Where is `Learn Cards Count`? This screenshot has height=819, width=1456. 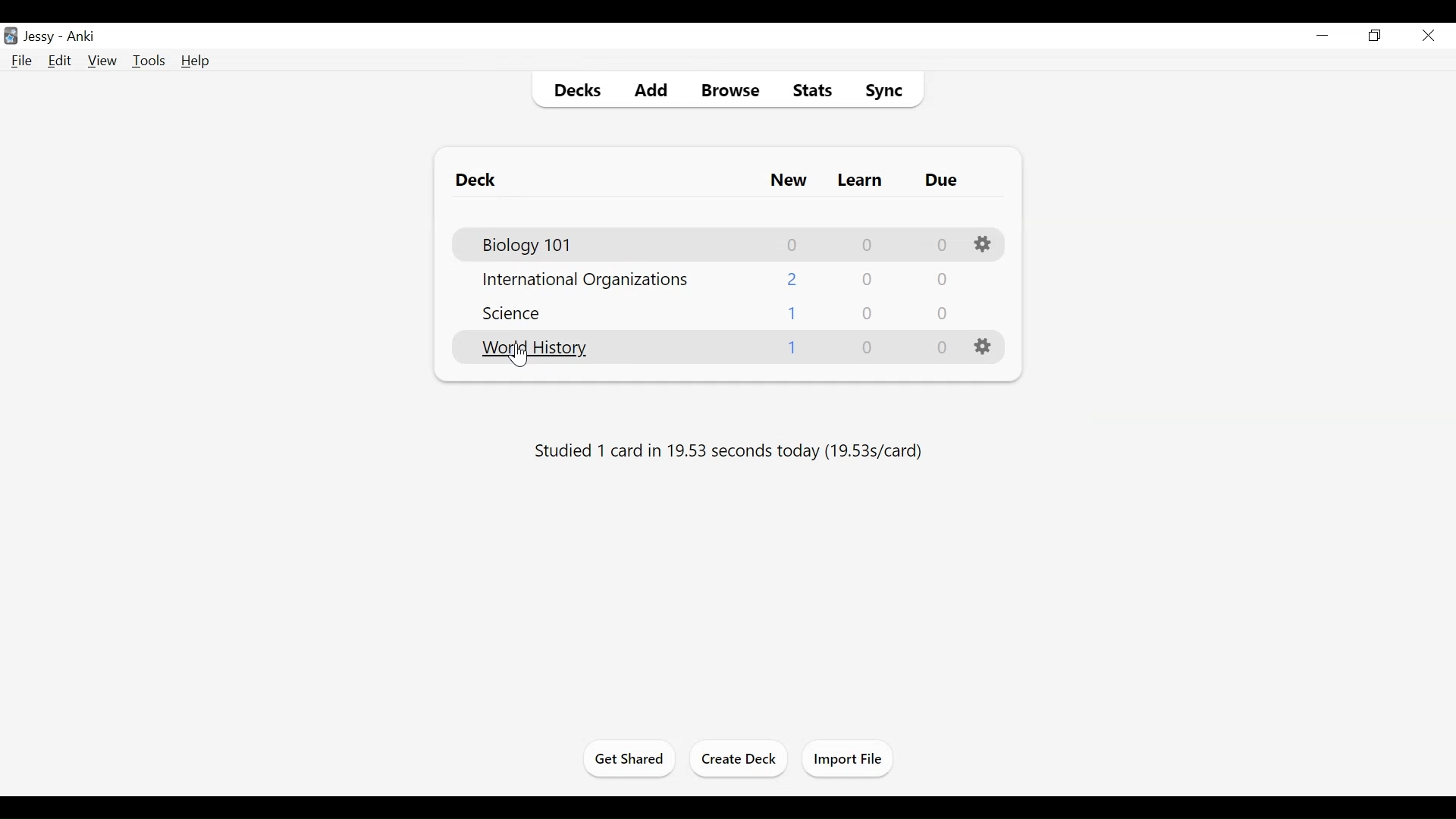
Learn Cards Count is located at coordinates (865, 278).